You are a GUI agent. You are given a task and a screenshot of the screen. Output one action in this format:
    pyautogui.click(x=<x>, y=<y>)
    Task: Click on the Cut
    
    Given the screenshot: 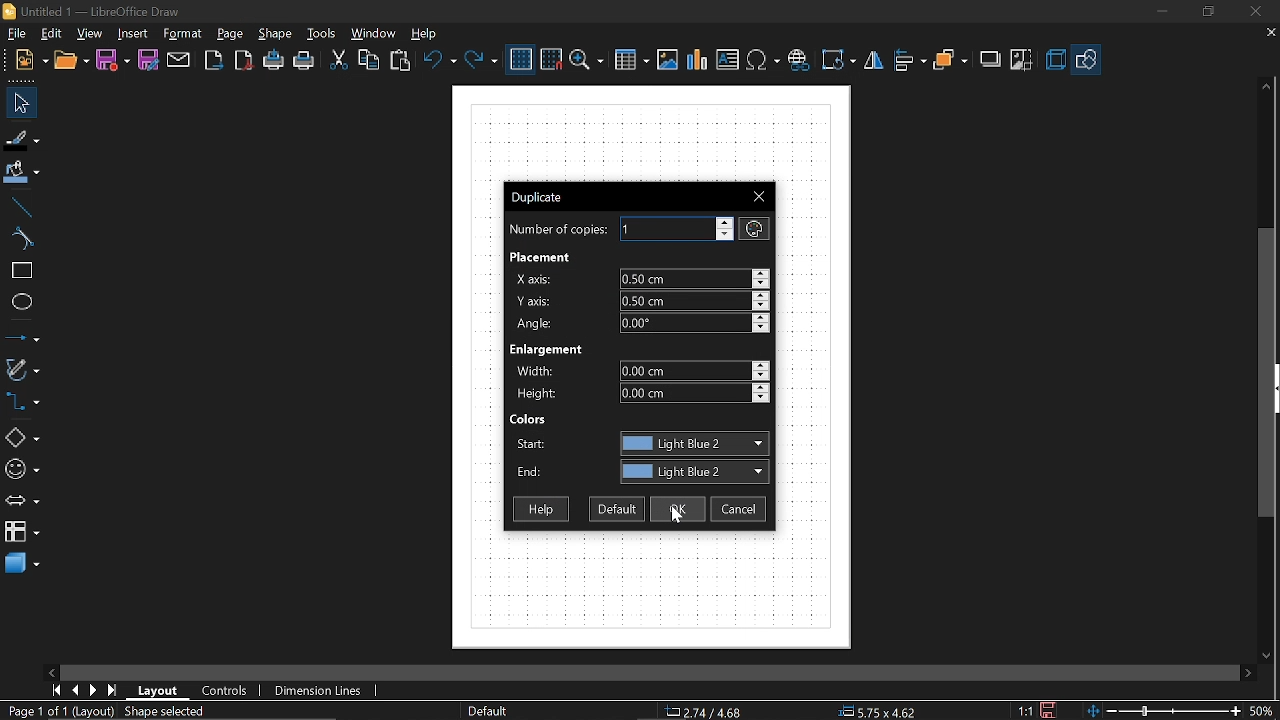 What is the action you would take?
    pyautogui.click(x=337, y=59)
    